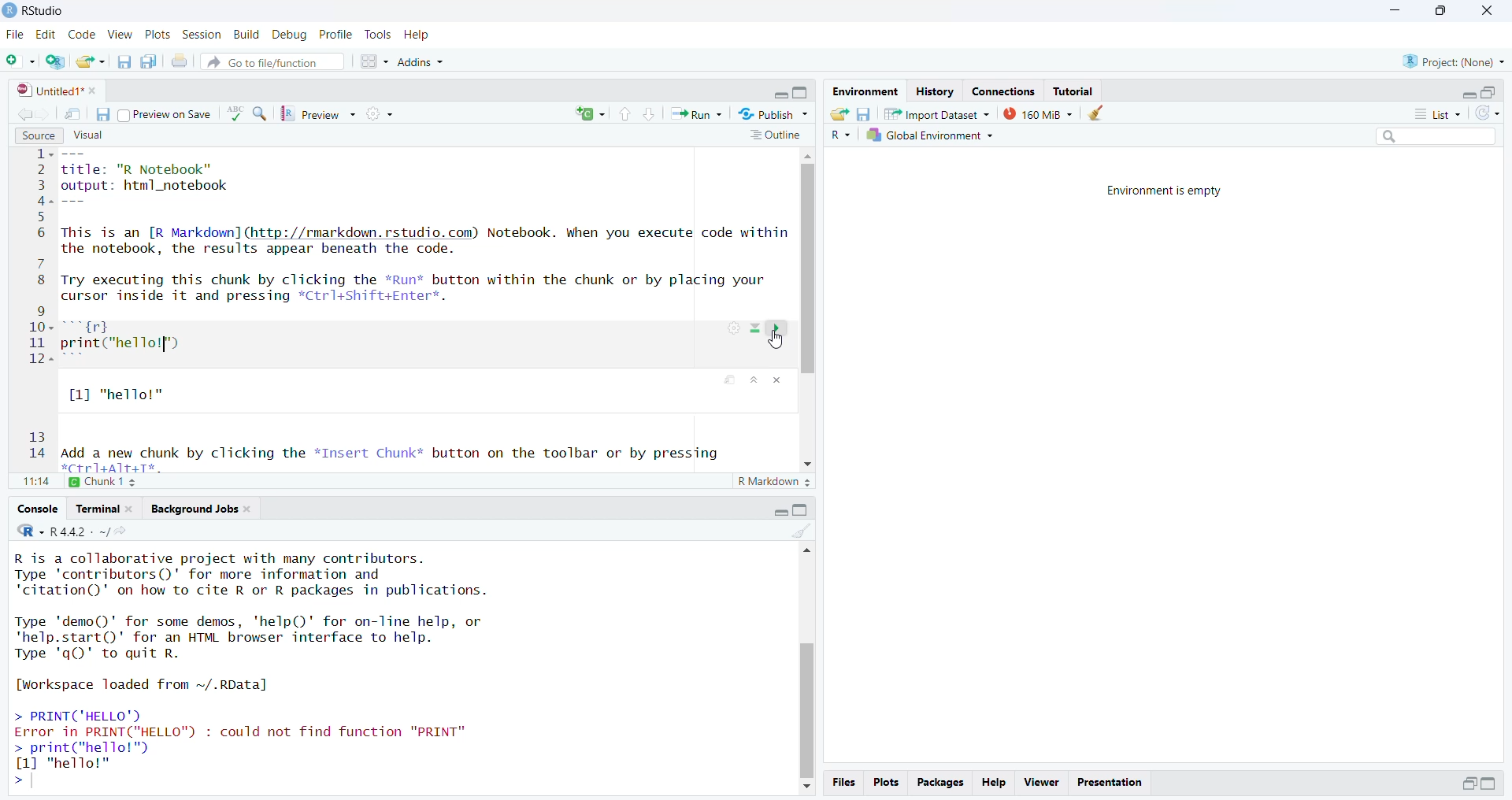 This screenshot has height=800, width=1512. What do you see at coordinates (624, 114) in the screenshot?
I see `go to previous section` at bounding box center [624, 114].